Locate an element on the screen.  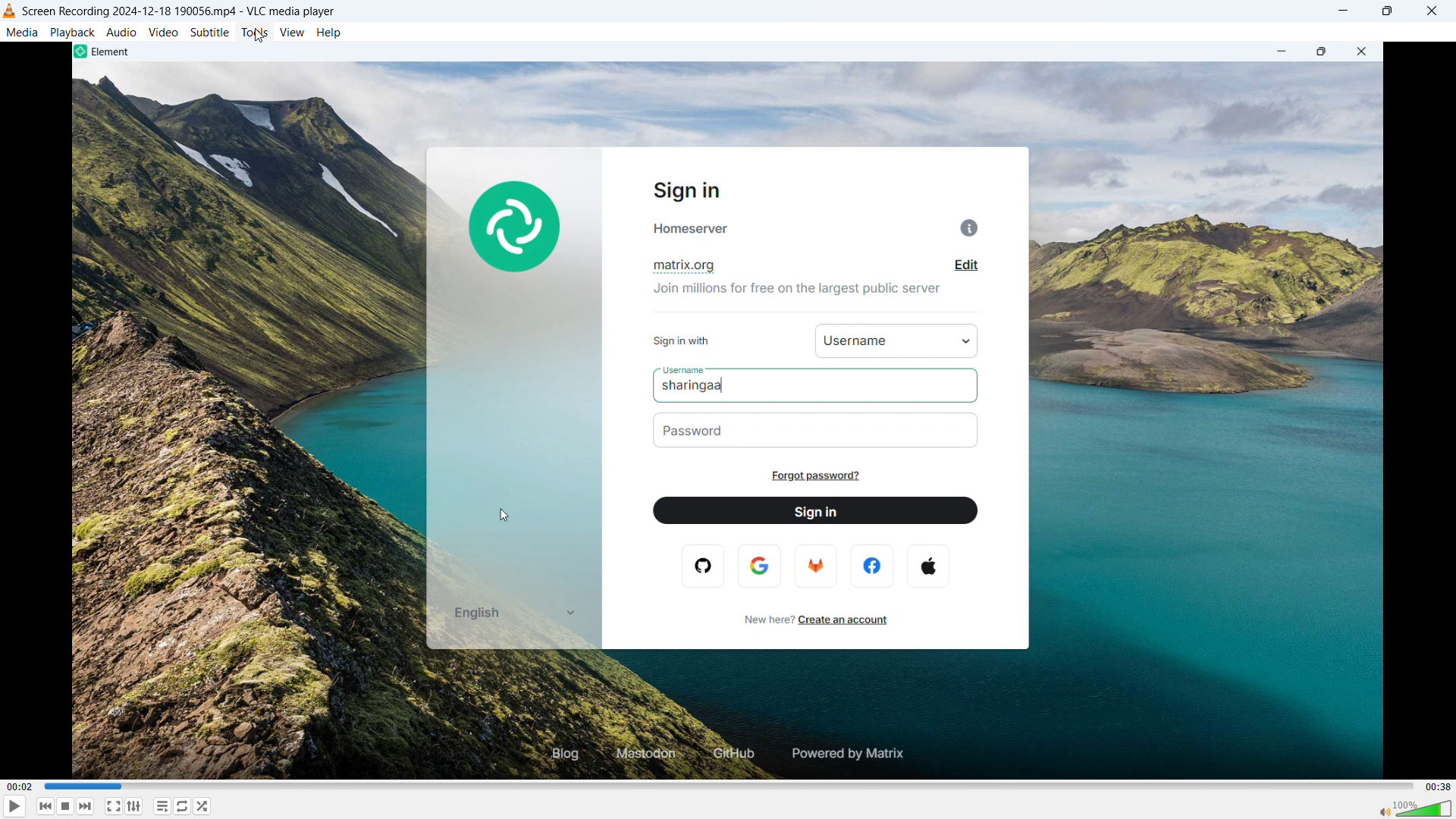
opera logo is located at coordinates (704, 565).